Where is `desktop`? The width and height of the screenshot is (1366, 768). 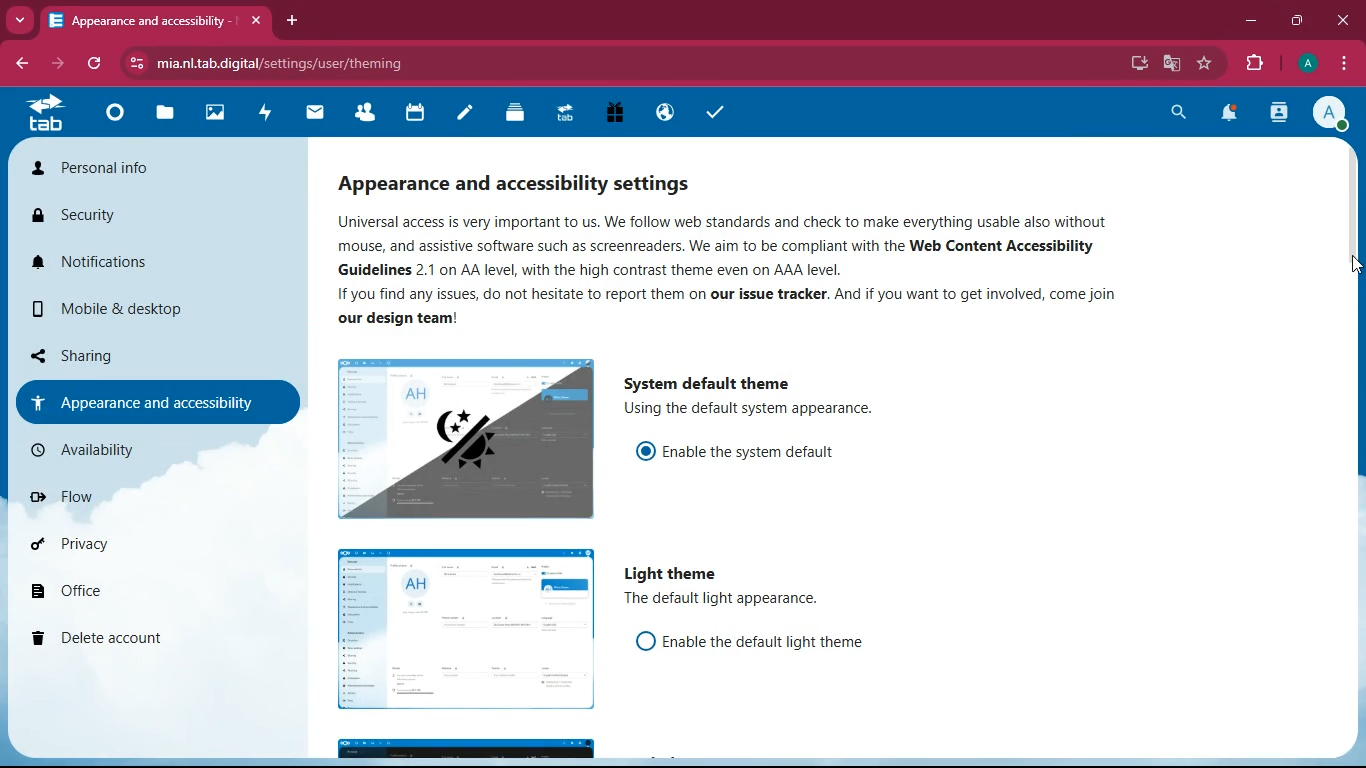
desktop is located at coordinates (1140, 62).